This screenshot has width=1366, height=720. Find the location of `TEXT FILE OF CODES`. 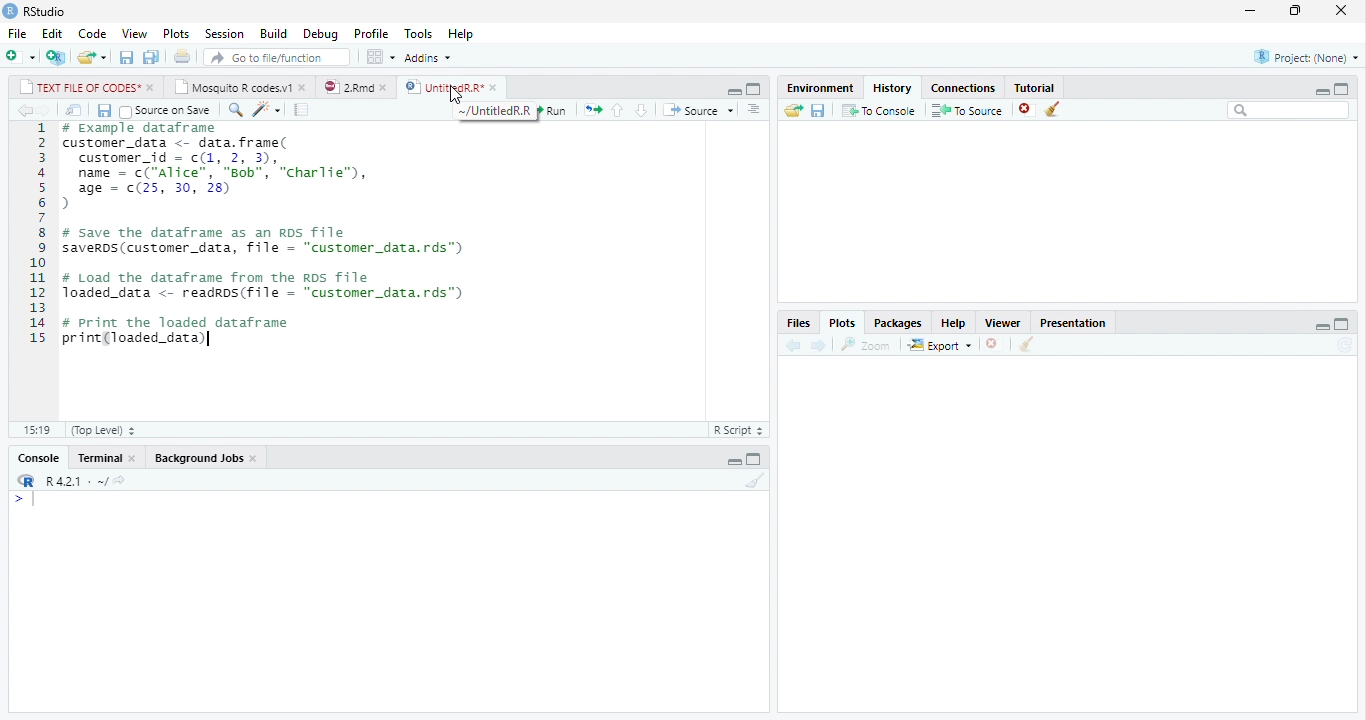

TEXT FILE OF CODES is located at coordinates (76, 87).